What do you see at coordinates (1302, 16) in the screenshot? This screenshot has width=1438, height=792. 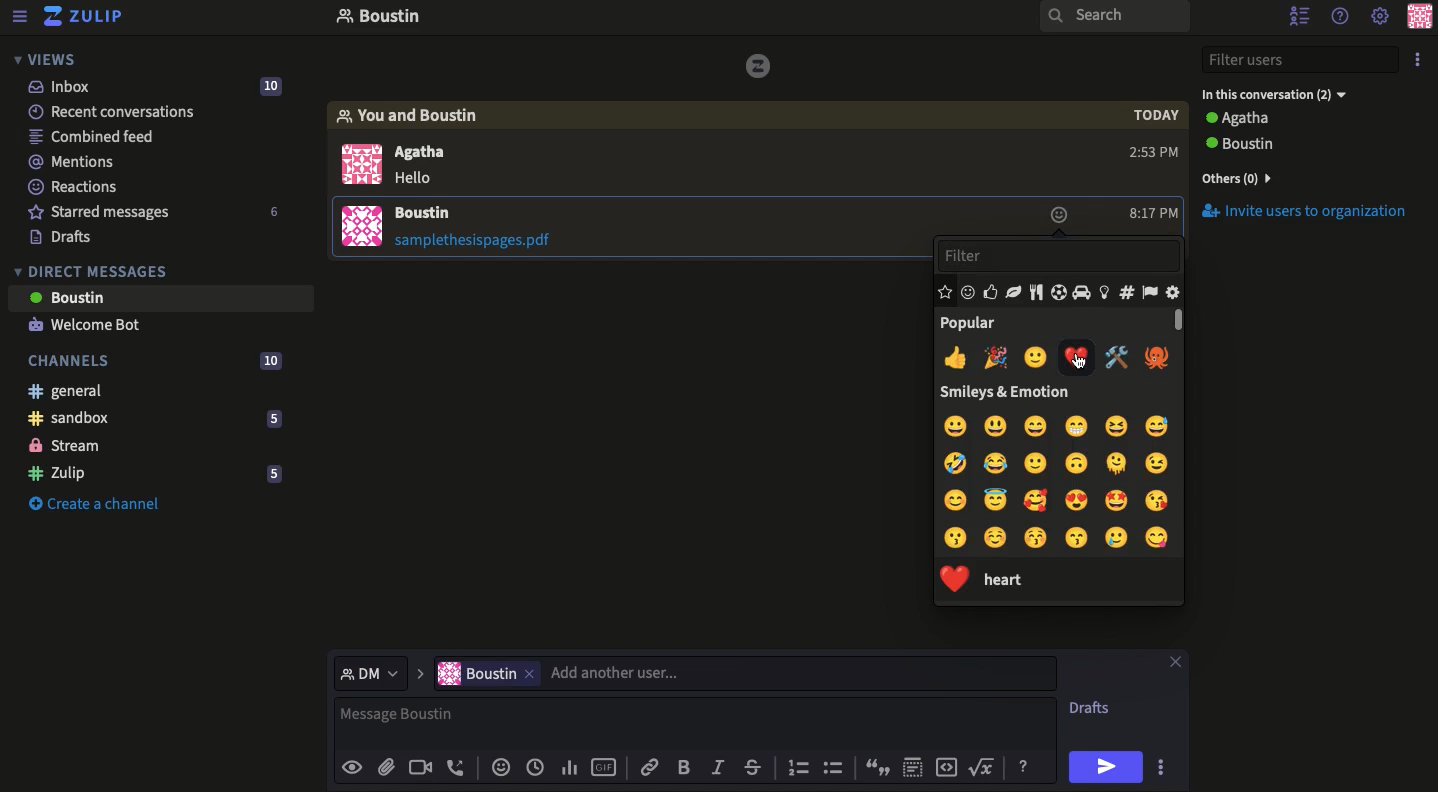 I see `Hide user list` at bounding box center [1302, 16].